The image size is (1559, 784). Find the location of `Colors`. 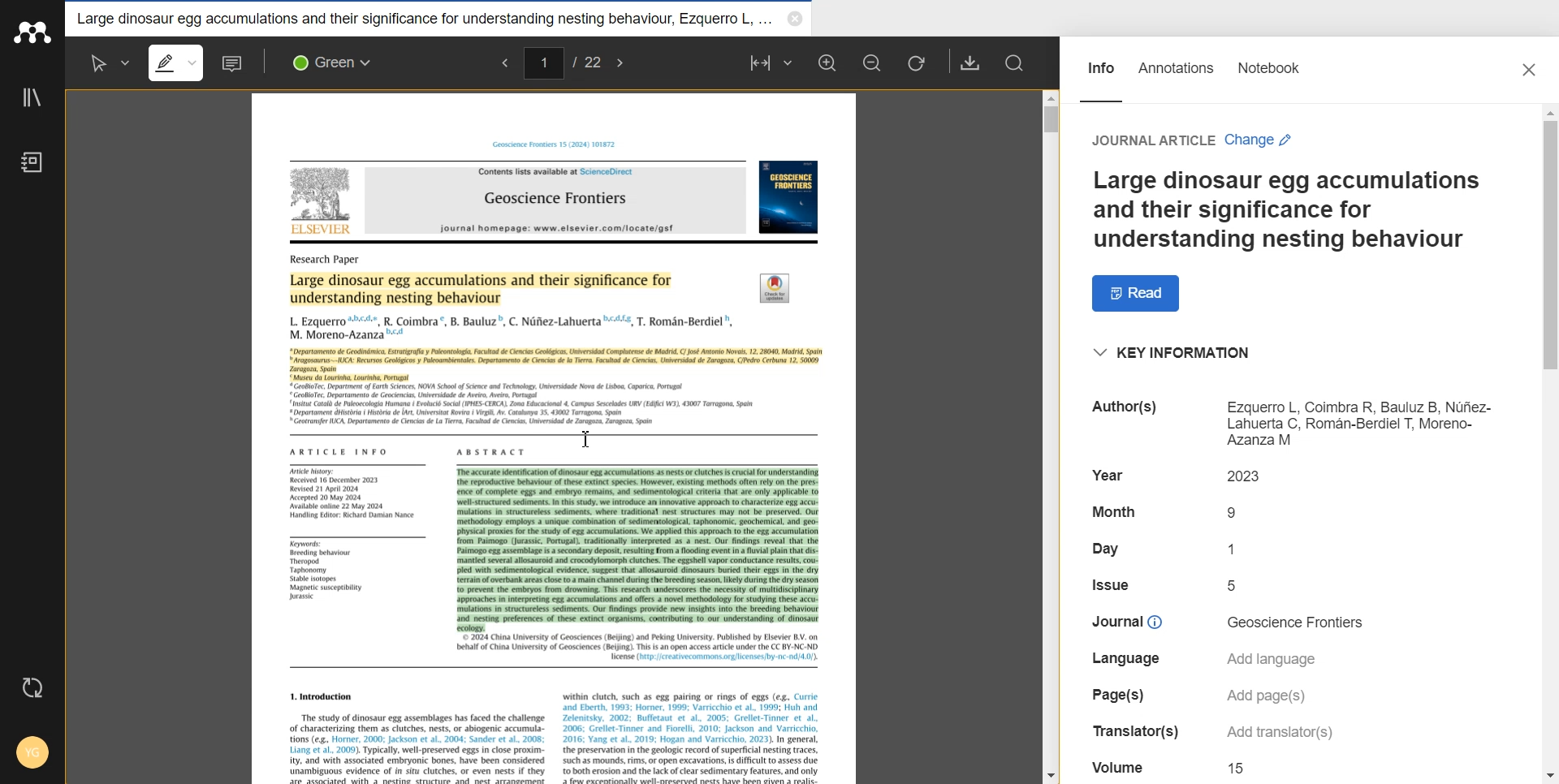

Colors is located at coordinates (337, 62).